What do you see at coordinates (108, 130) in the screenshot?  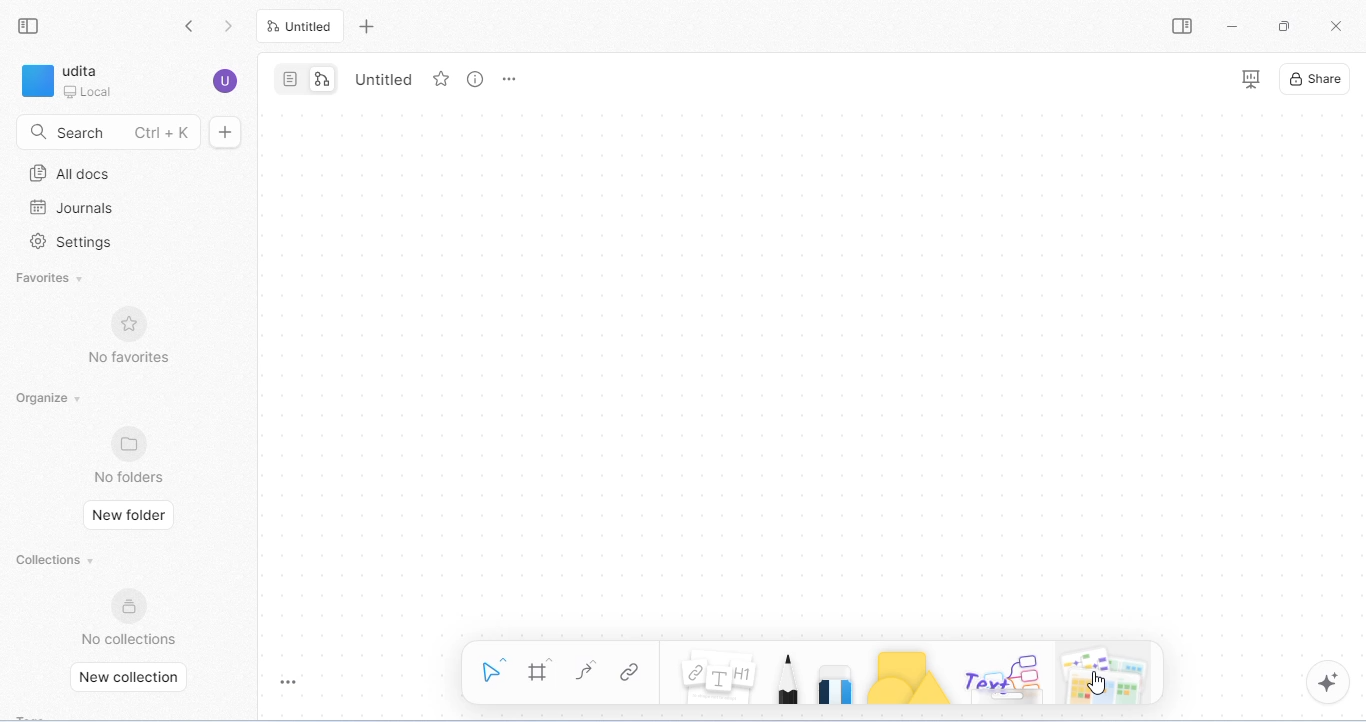 I see `search` at bounding box center [108, 130].